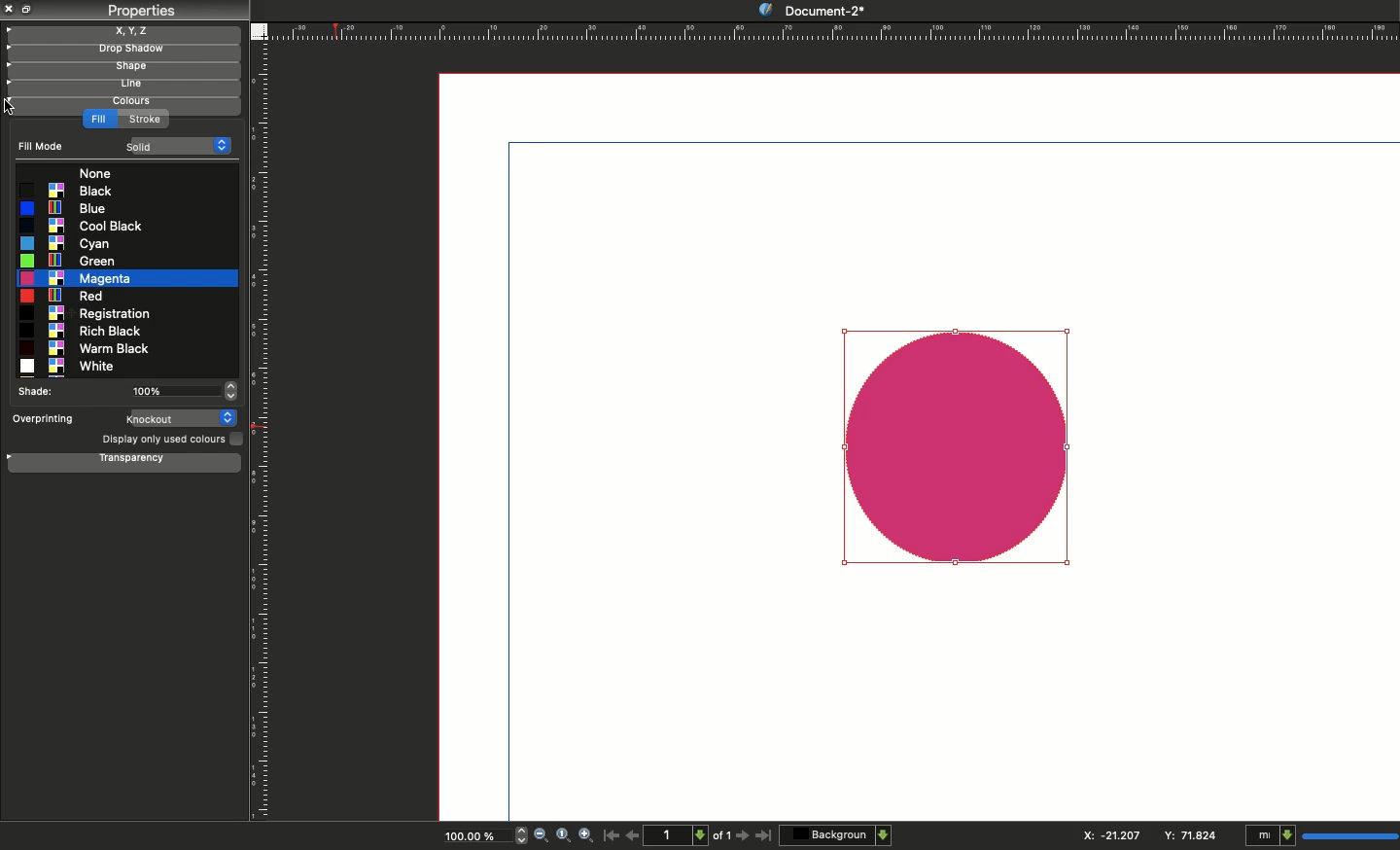 This screenshot has height=850, width=1400. Describe the element at coordinates (122, 69) in the screenshot. I see `Shape` at that location.